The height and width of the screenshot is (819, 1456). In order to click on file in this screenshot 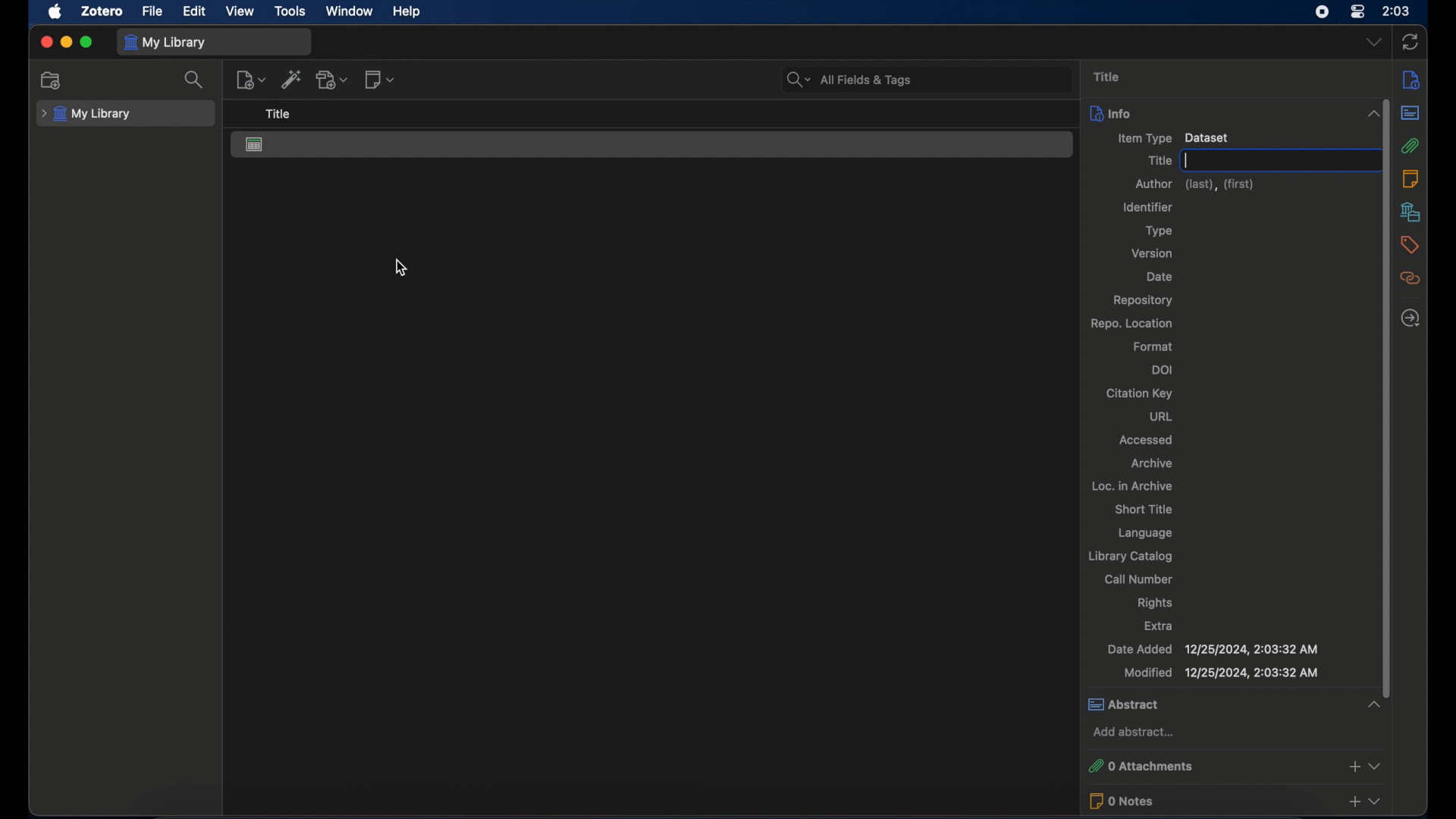, I will do `click(152, 11)`.